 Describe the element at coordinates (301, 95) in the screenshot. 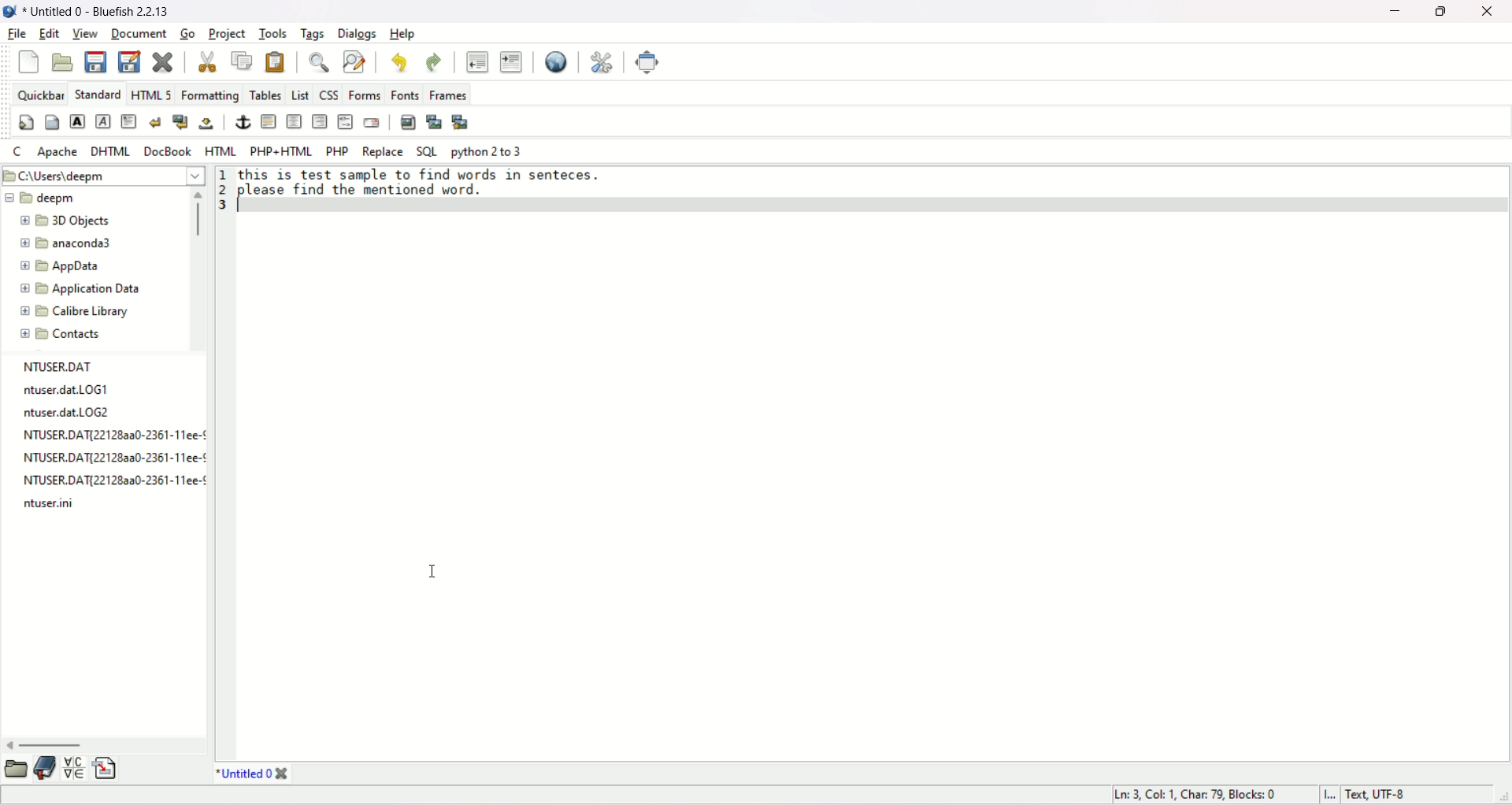

I see `LIST` at that location.